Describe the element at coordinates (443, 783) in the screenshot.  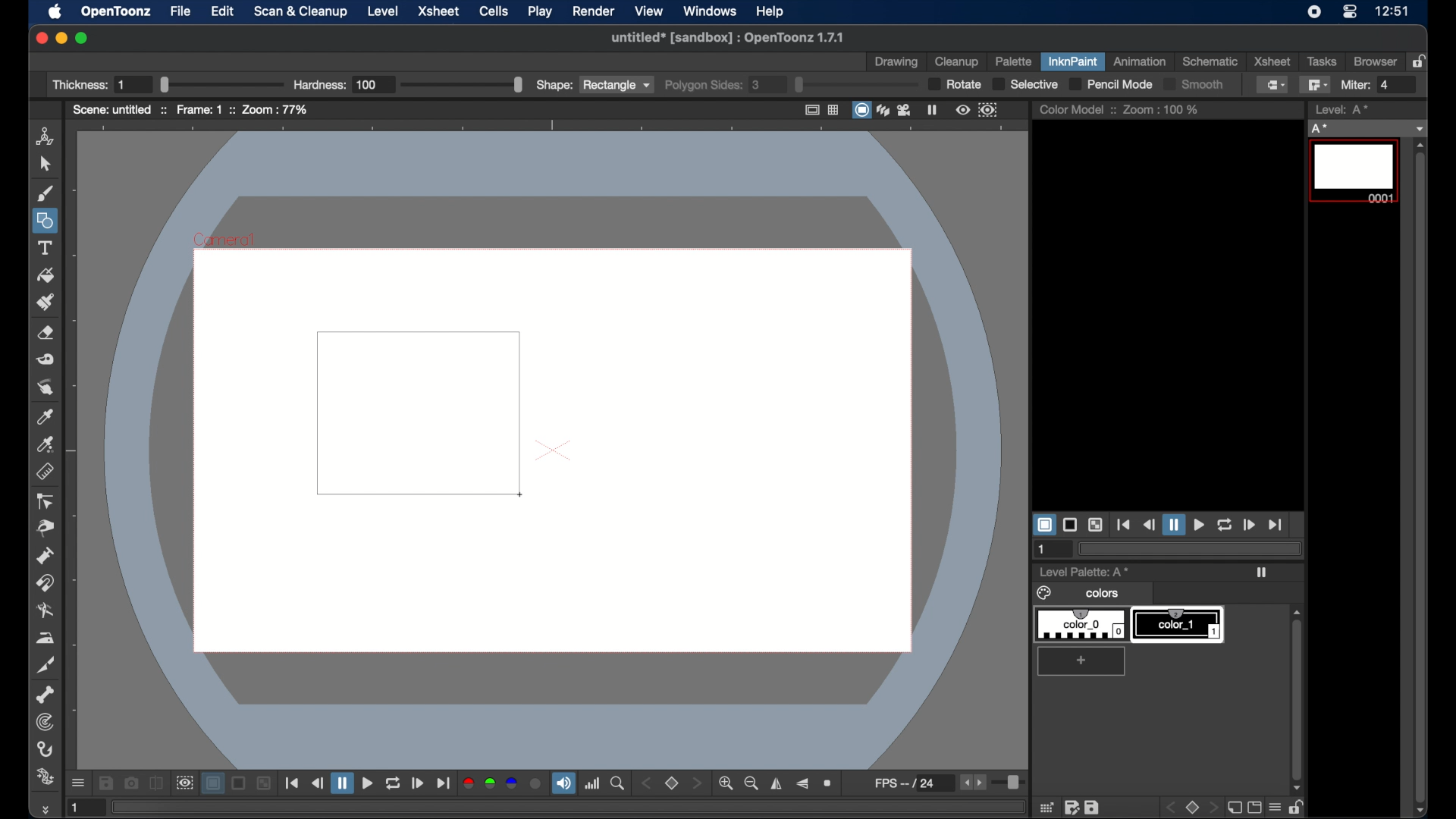
I see `jump to end` at that location.